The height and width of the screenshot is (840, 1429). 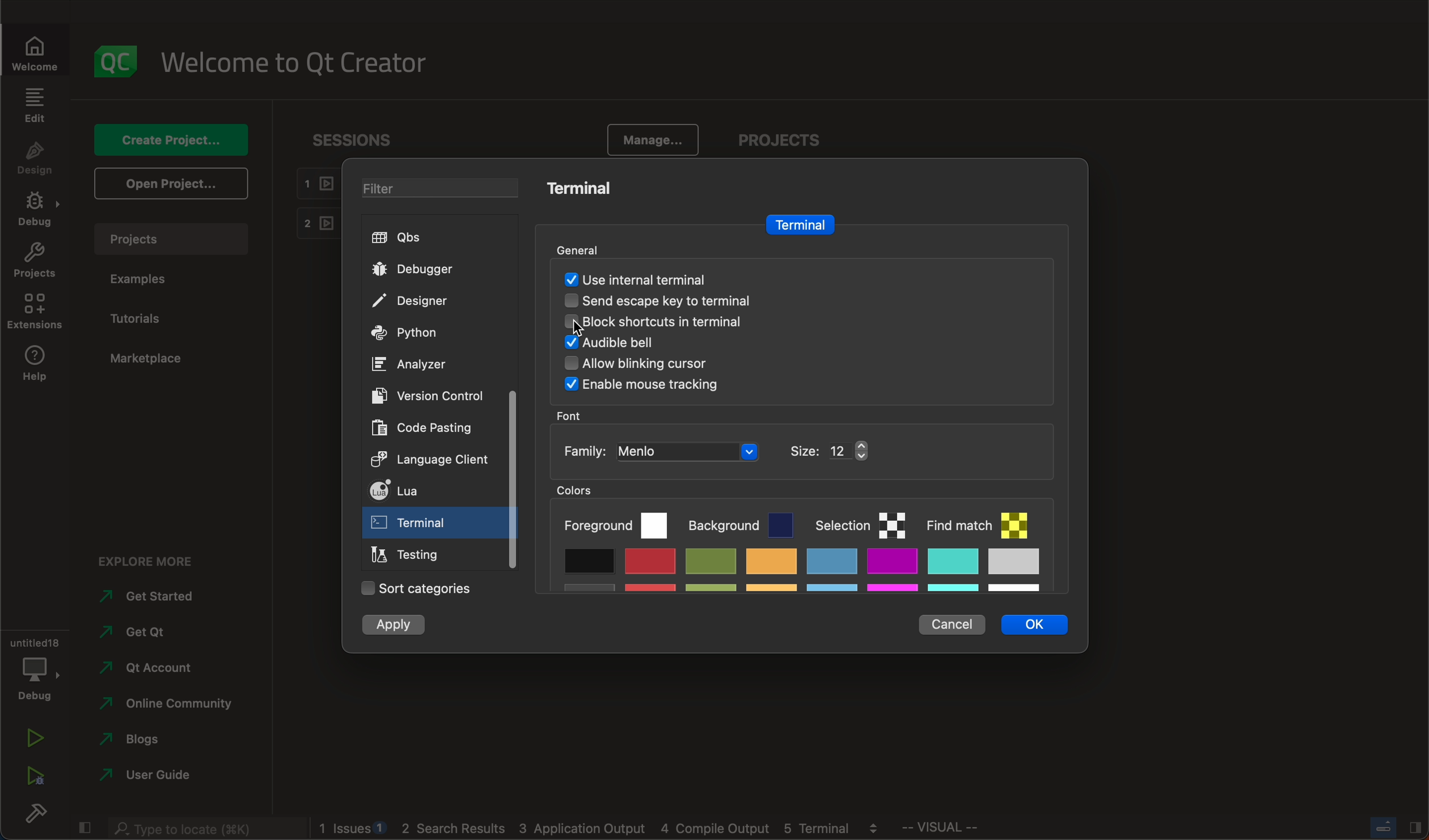 What do you see at coordinates (146, 557) in the screenshot?
I see `explore` at bounding box center [146, 557].